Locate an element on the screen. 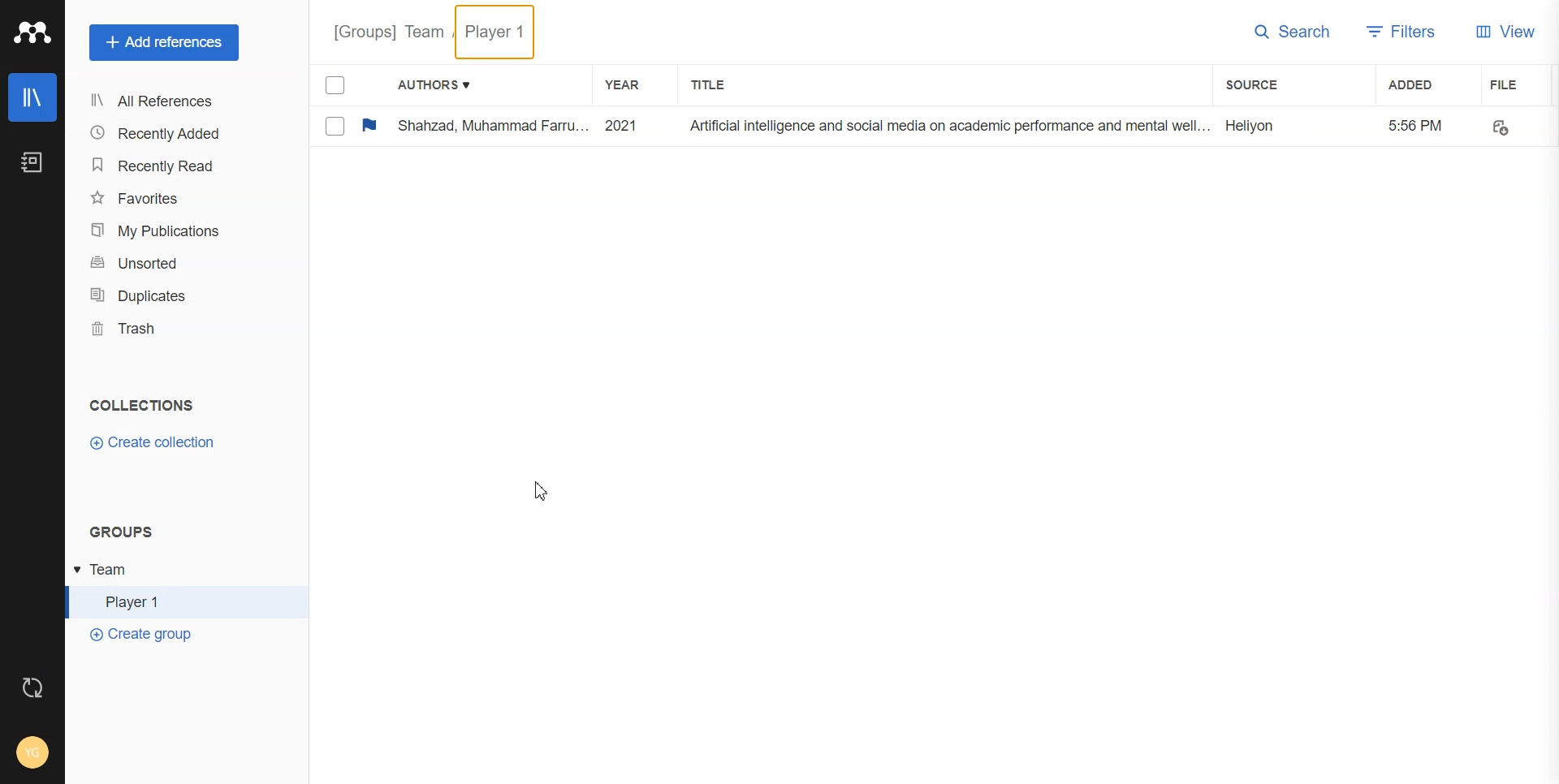  Trash is located at coordinates (163, 329).